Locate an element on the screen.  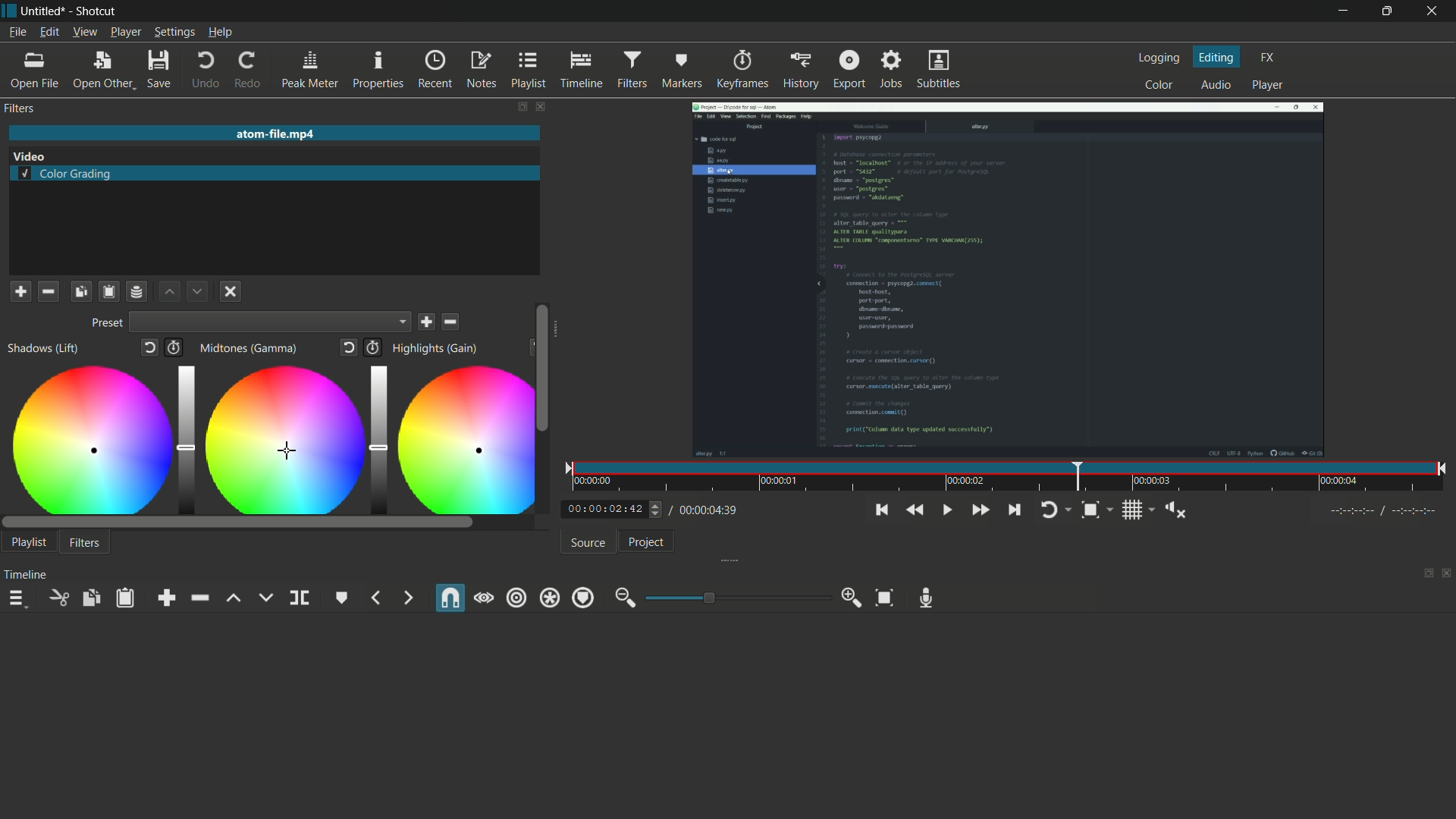
source is located at coordinates (588, 543).